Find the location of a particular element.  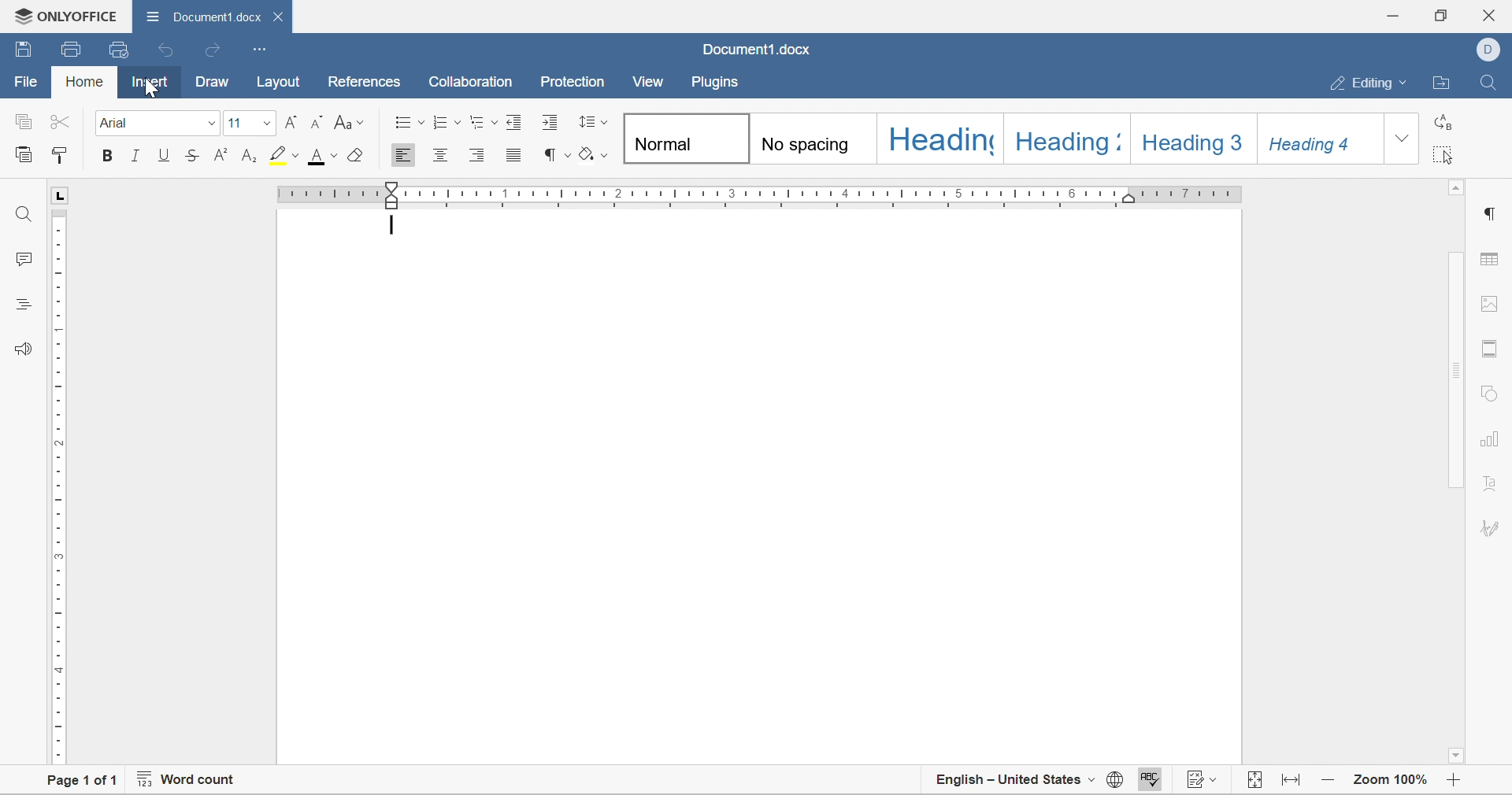

Find is located at coordinates (23, 212).